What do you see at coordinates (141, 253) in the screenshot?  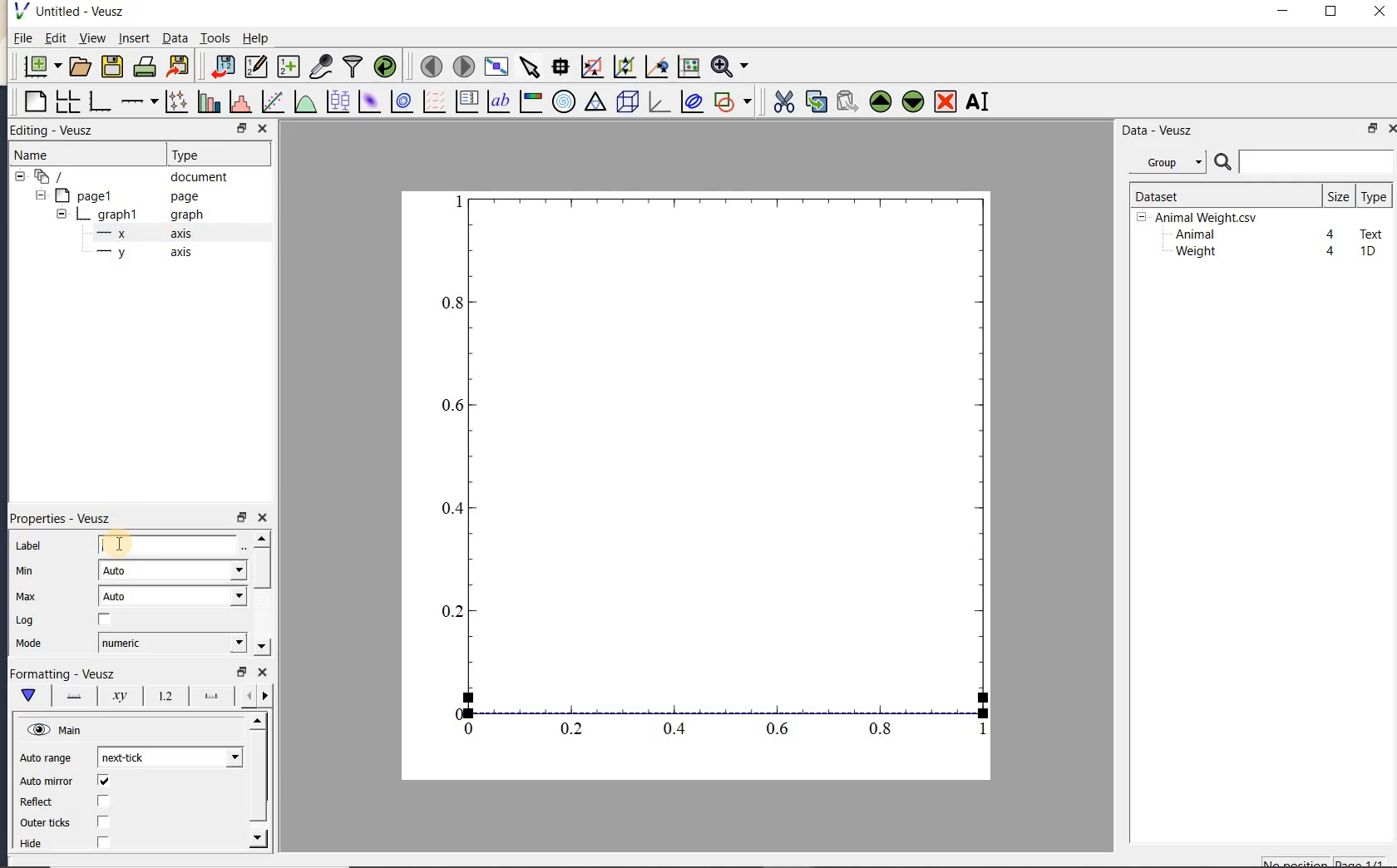 I see `axis` at bounding box center [141, 253].